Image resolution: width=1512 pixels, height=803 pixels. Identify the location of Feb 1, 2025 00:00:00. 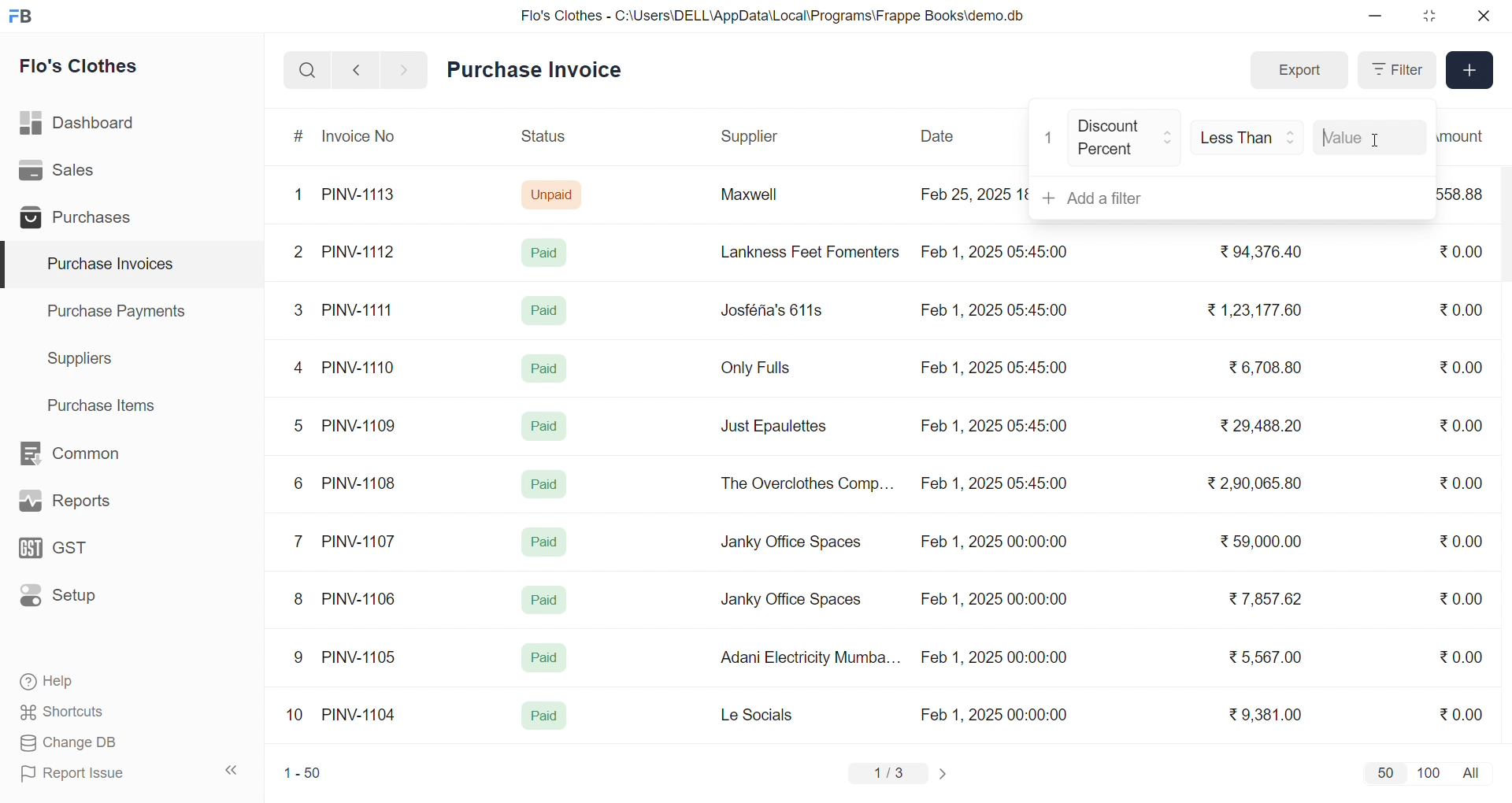
(996, 714).